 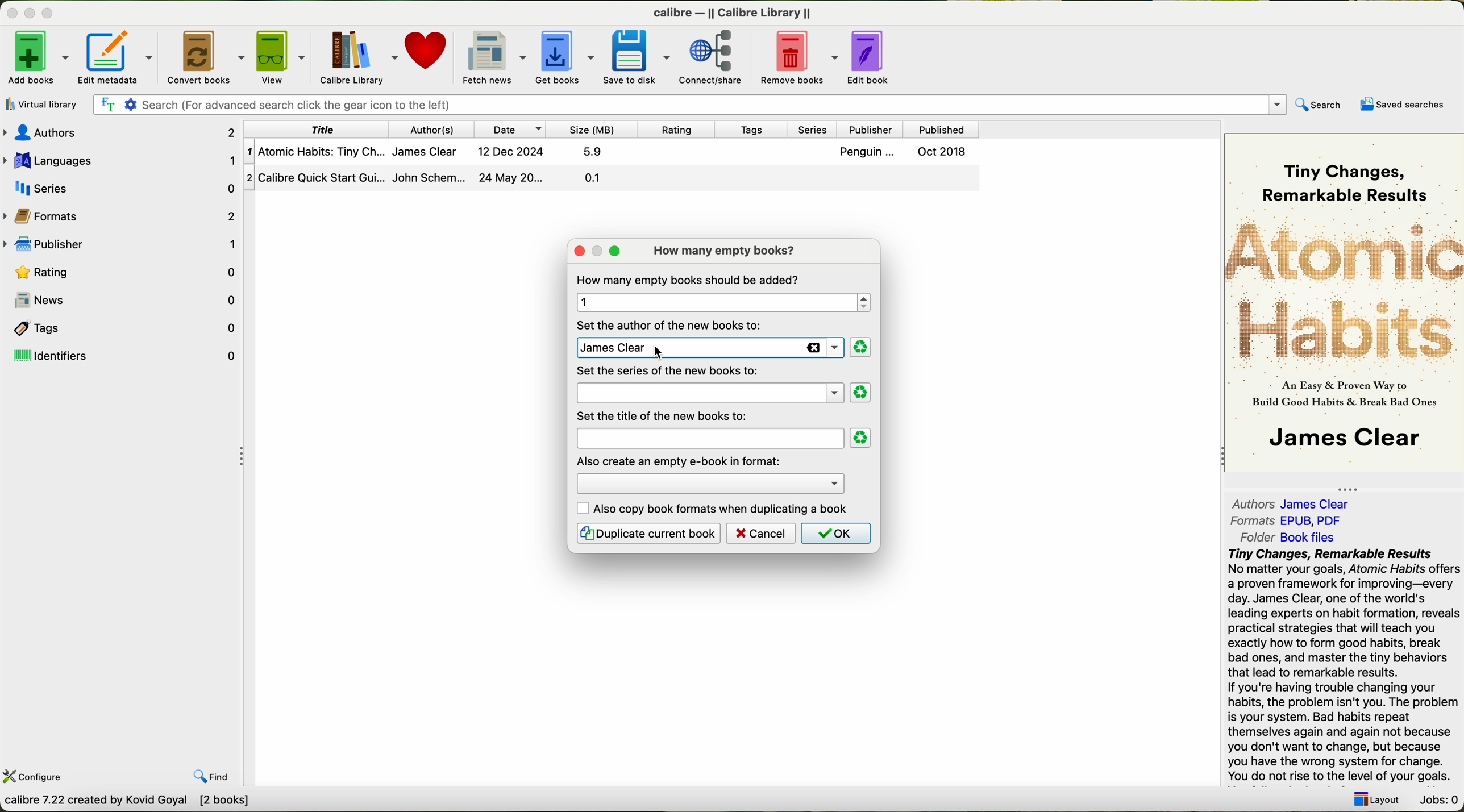 I want to click on duplicate current book, so click(x=648, y=533).